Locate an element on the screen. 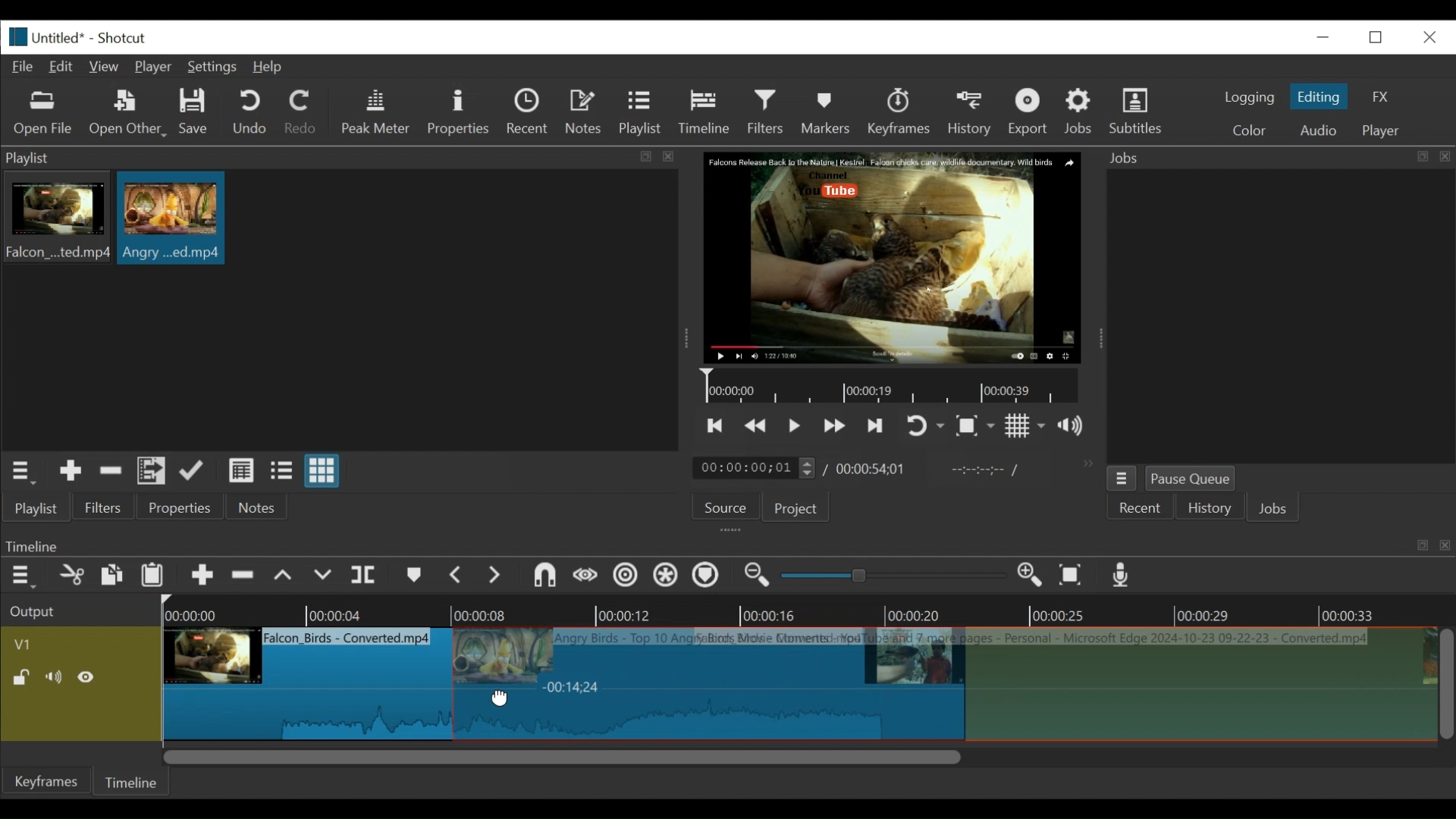  Jobs is located at coordinates (1081, 111).